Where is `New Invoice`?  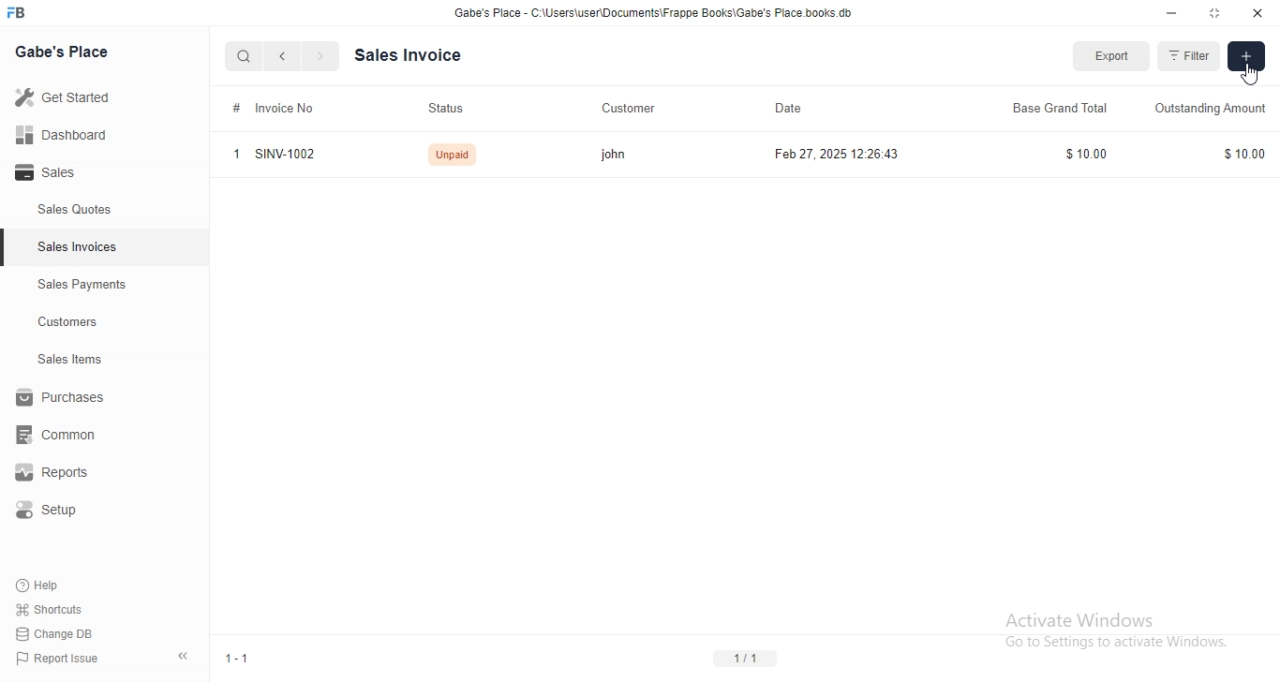 New Invoice is located at coordinates (1245, 57).